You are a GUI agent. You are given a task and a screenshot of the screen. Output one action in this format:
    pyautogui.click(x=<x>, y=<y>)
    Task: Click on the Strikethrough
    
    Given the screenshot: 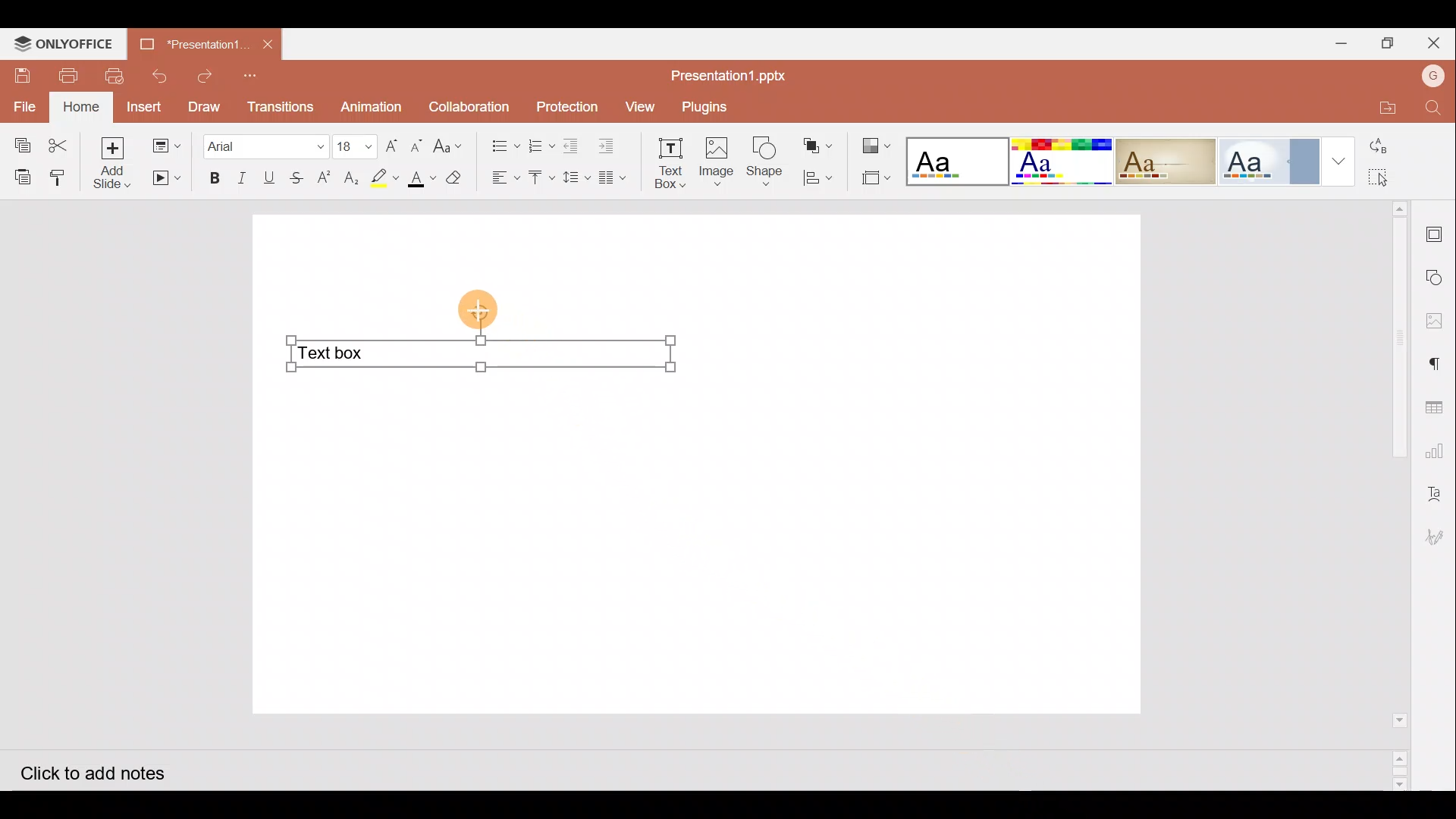 What is the action you would take?
    pyautogui.click(x=294, y=177)
    